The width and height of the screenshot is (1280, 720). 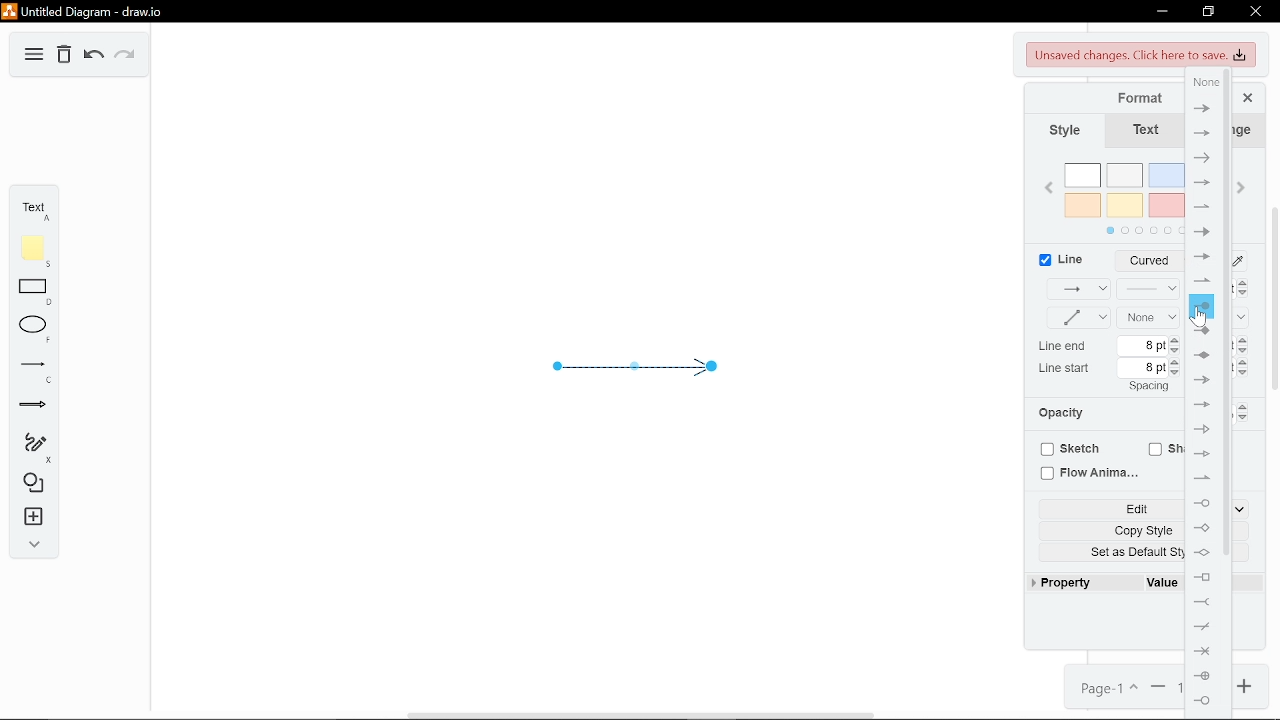 I want to click on spacing, so click(x=1148, y=386).